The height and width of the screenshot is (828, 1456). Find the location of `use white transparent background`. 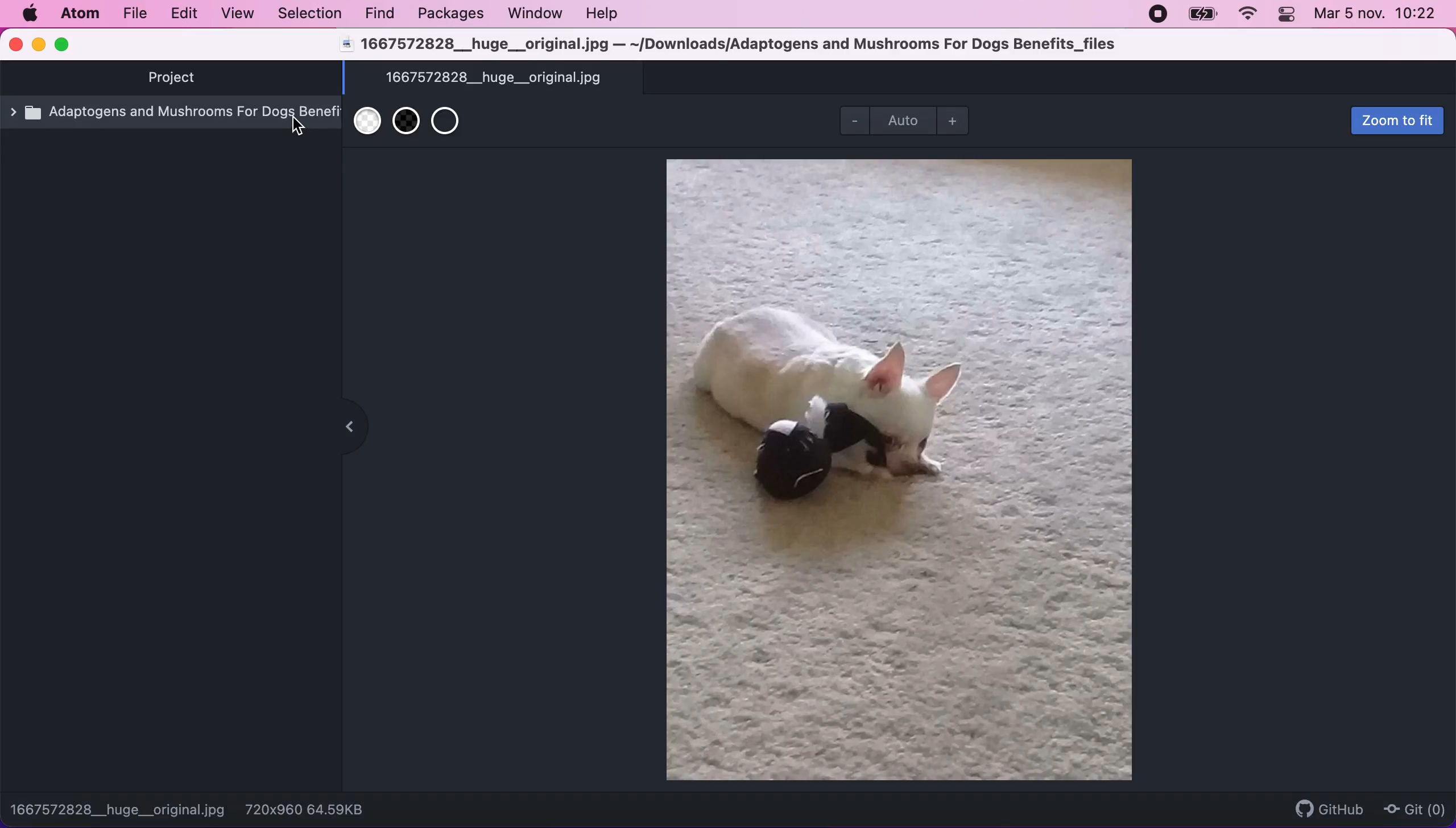

use white transparent background is located at coordinates (365, 128).